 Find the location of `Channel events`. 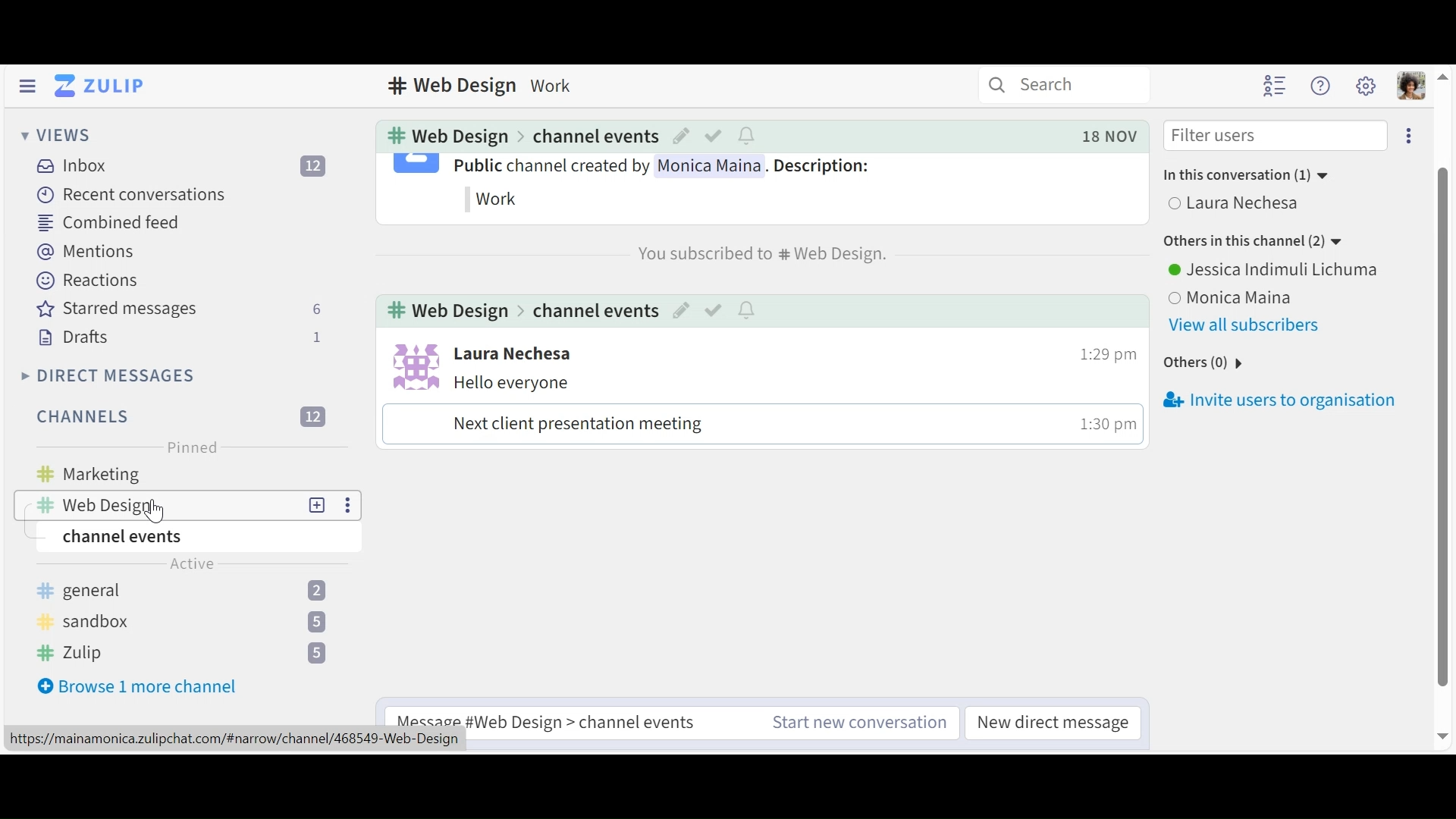

Channel events is located at coordinates (591, 309).